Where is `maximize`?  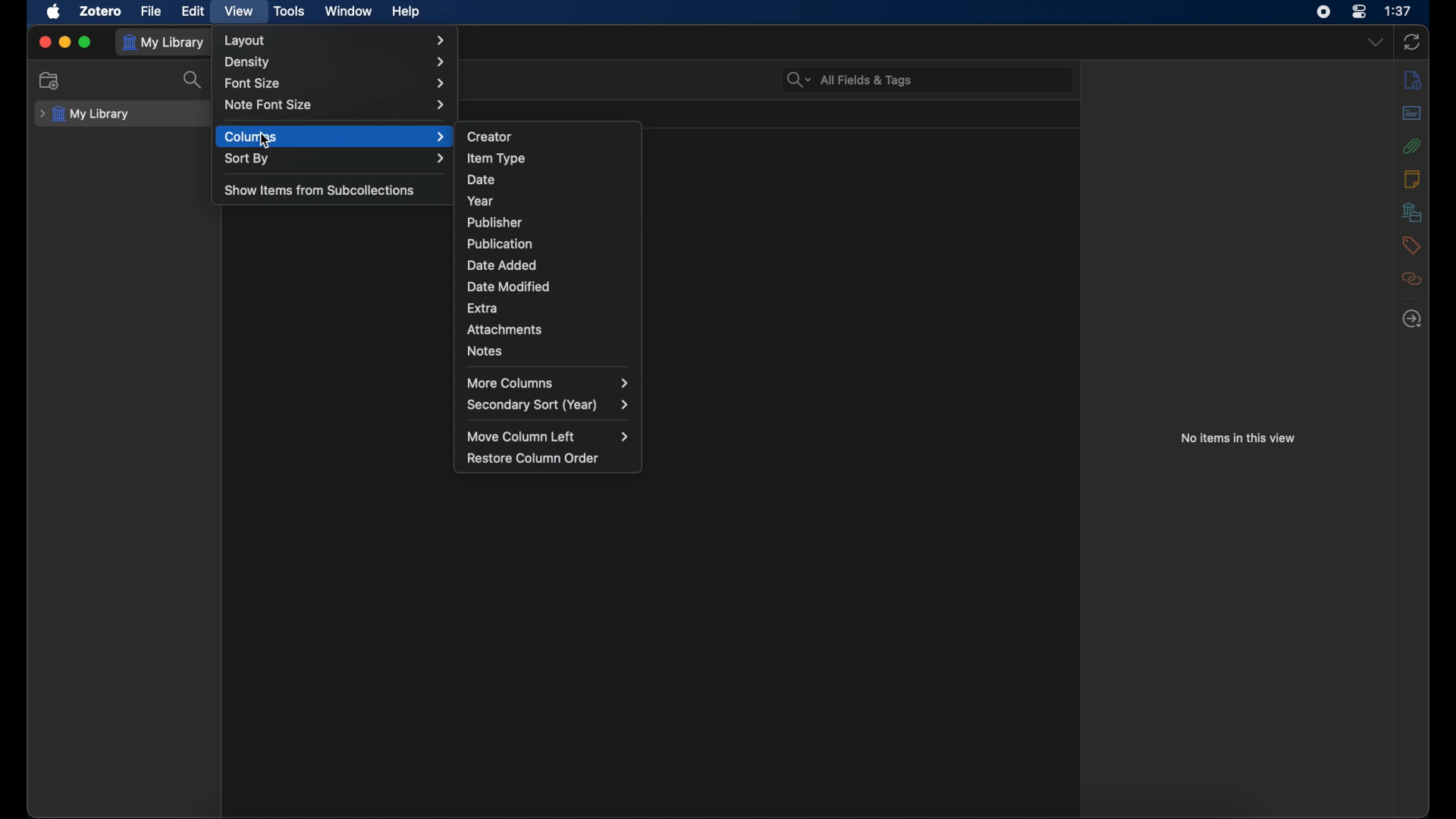 maximize is located at coordinates (86, 42).